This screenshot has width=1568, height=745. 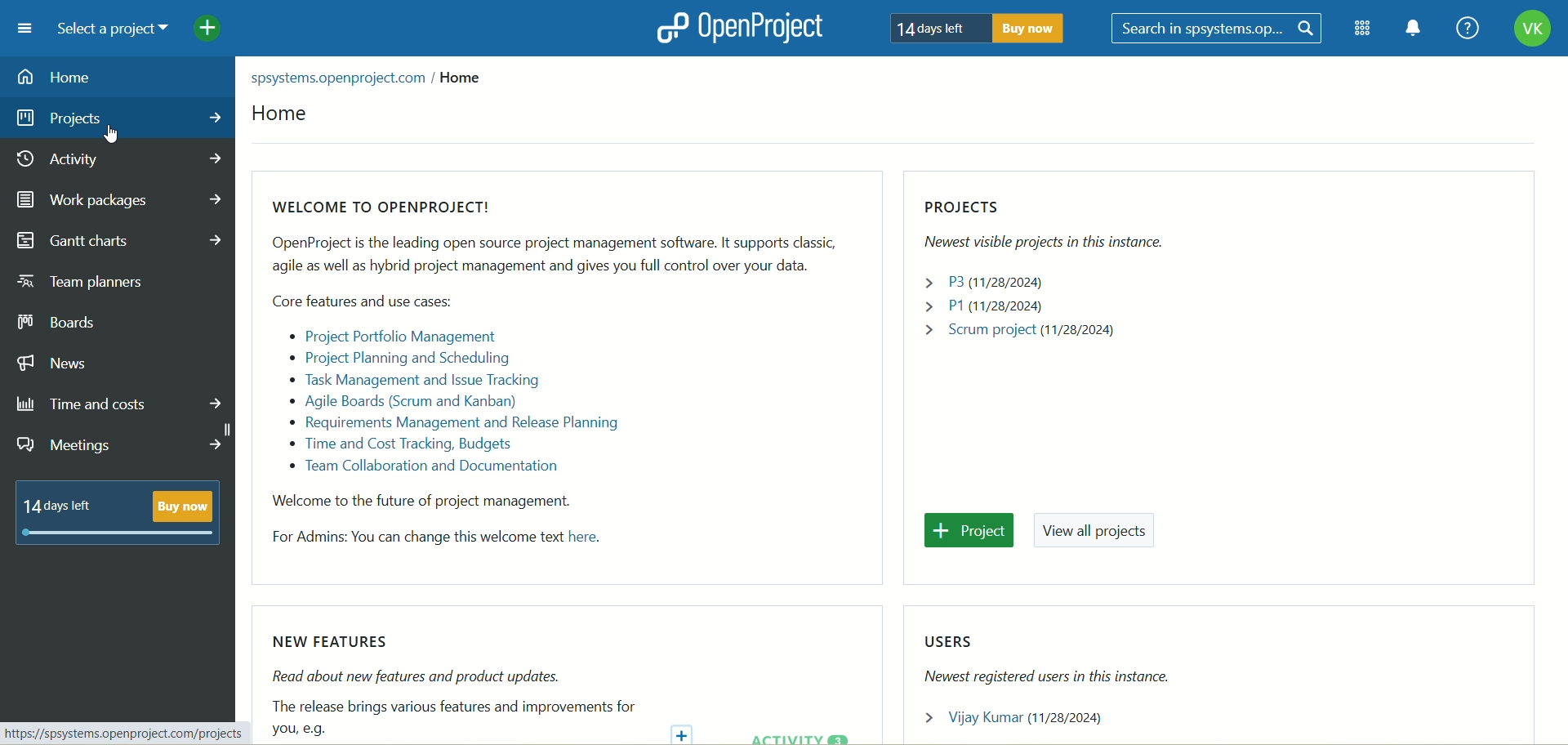 I want to click on boards, so click(x=55, y=323).